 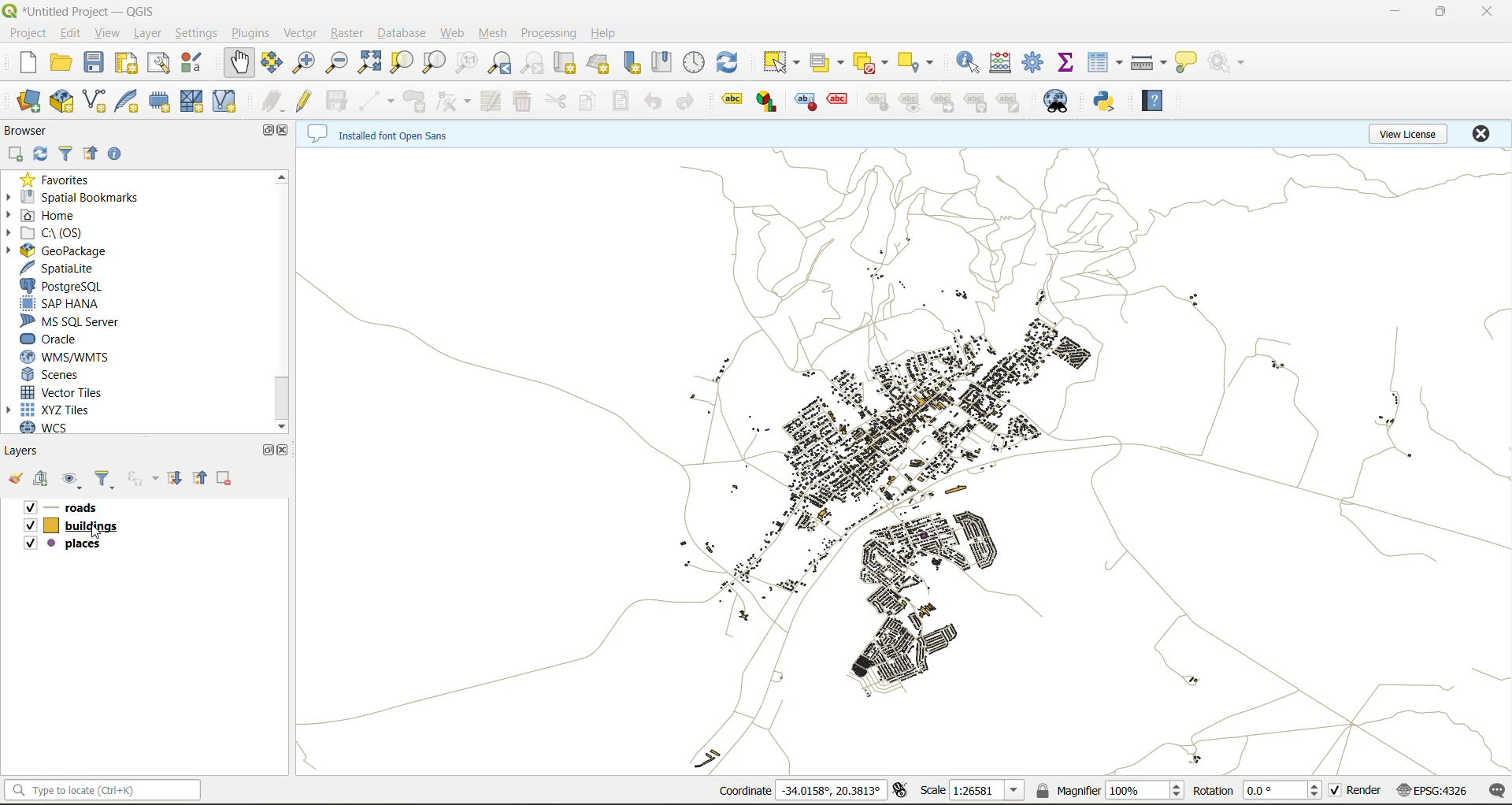 I want to click on collapse all, so click(x=199, y=479).